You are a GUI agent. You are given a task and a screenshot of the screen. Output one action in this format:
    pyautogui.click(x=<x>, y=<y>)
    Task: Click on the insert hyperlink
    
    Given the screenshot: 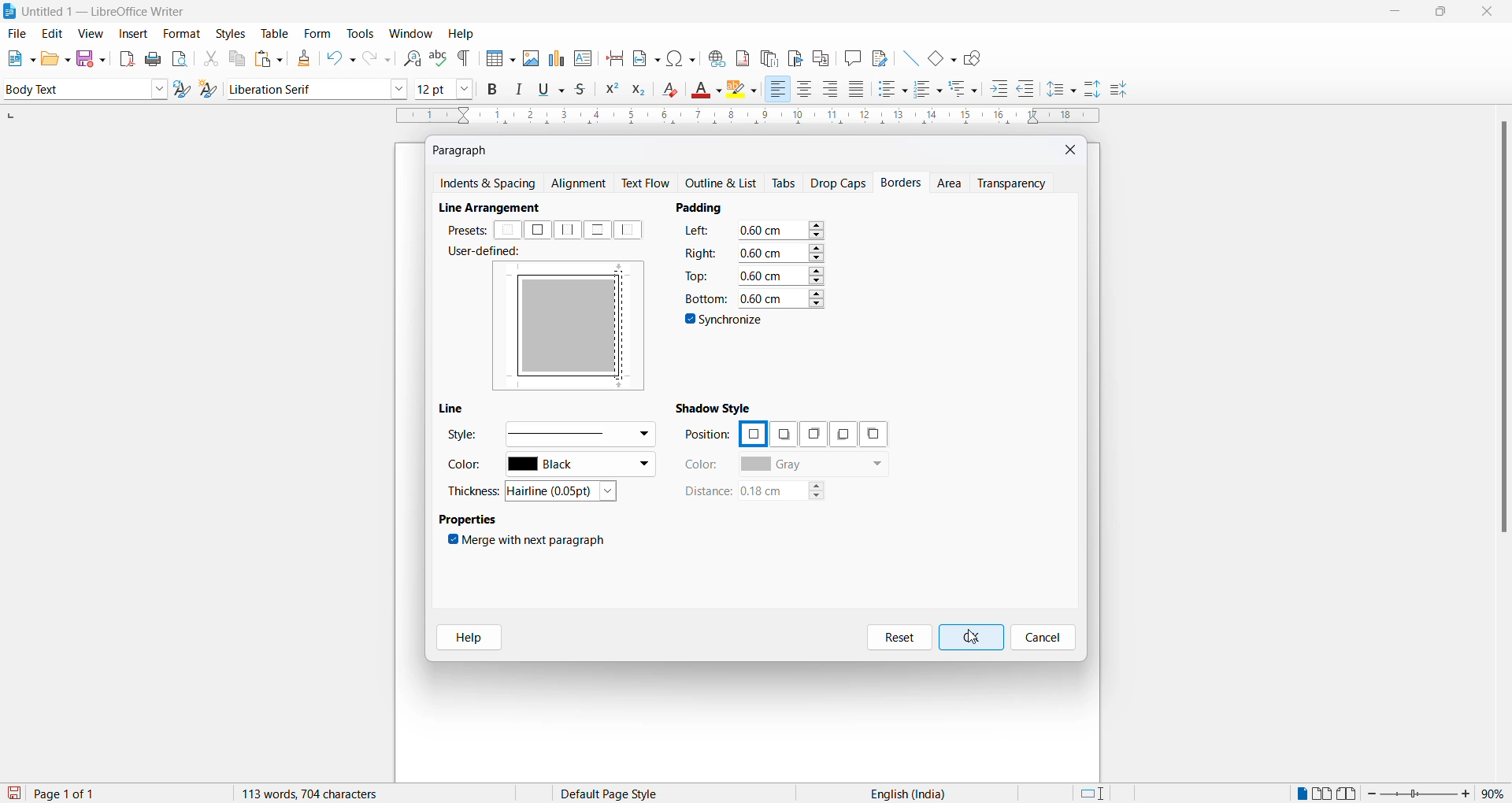 What is the action you would take?
    pyautogui.click(x=714, y=56)
    